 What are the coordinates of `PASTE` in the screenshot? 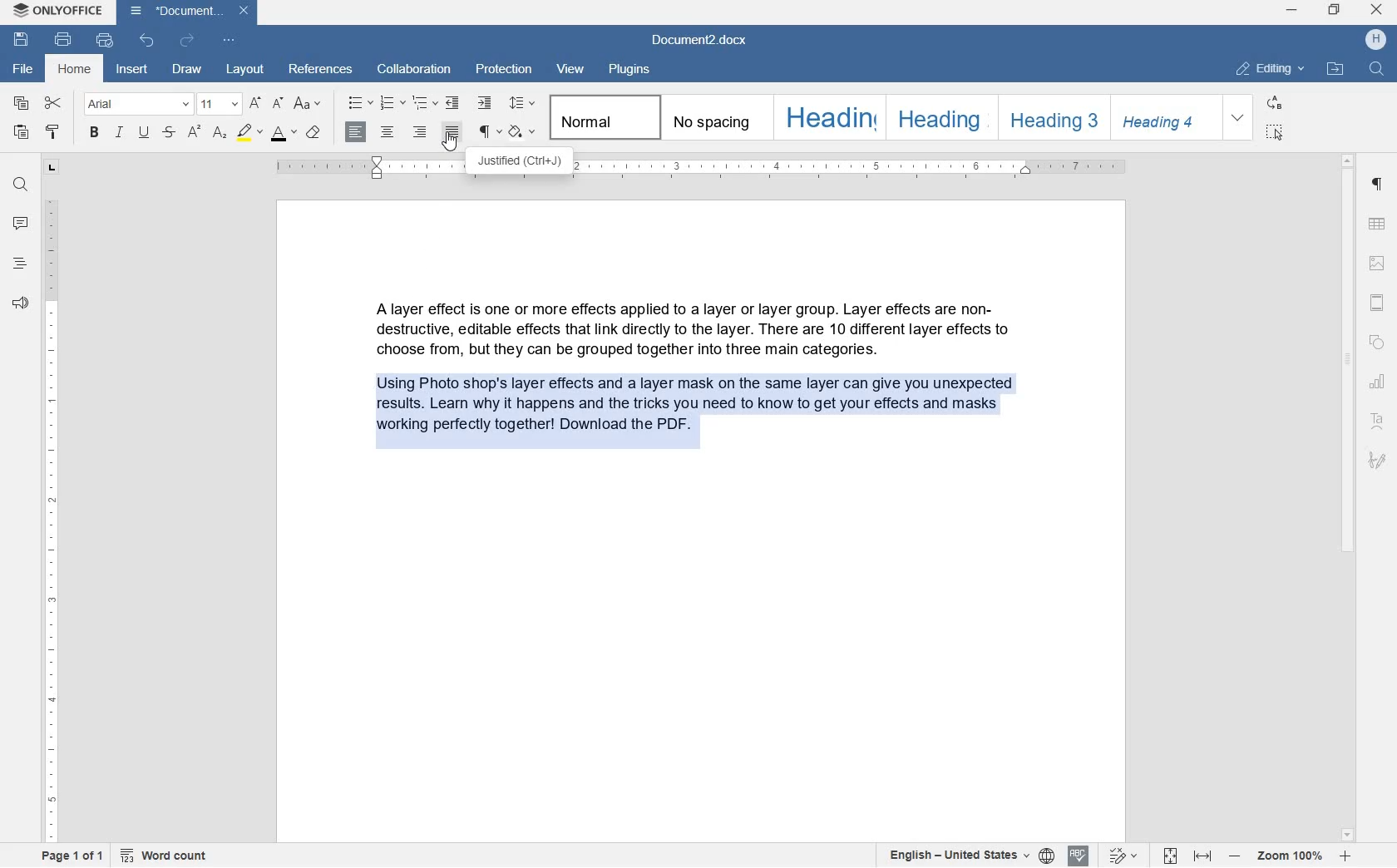 It's located at (23, 134).